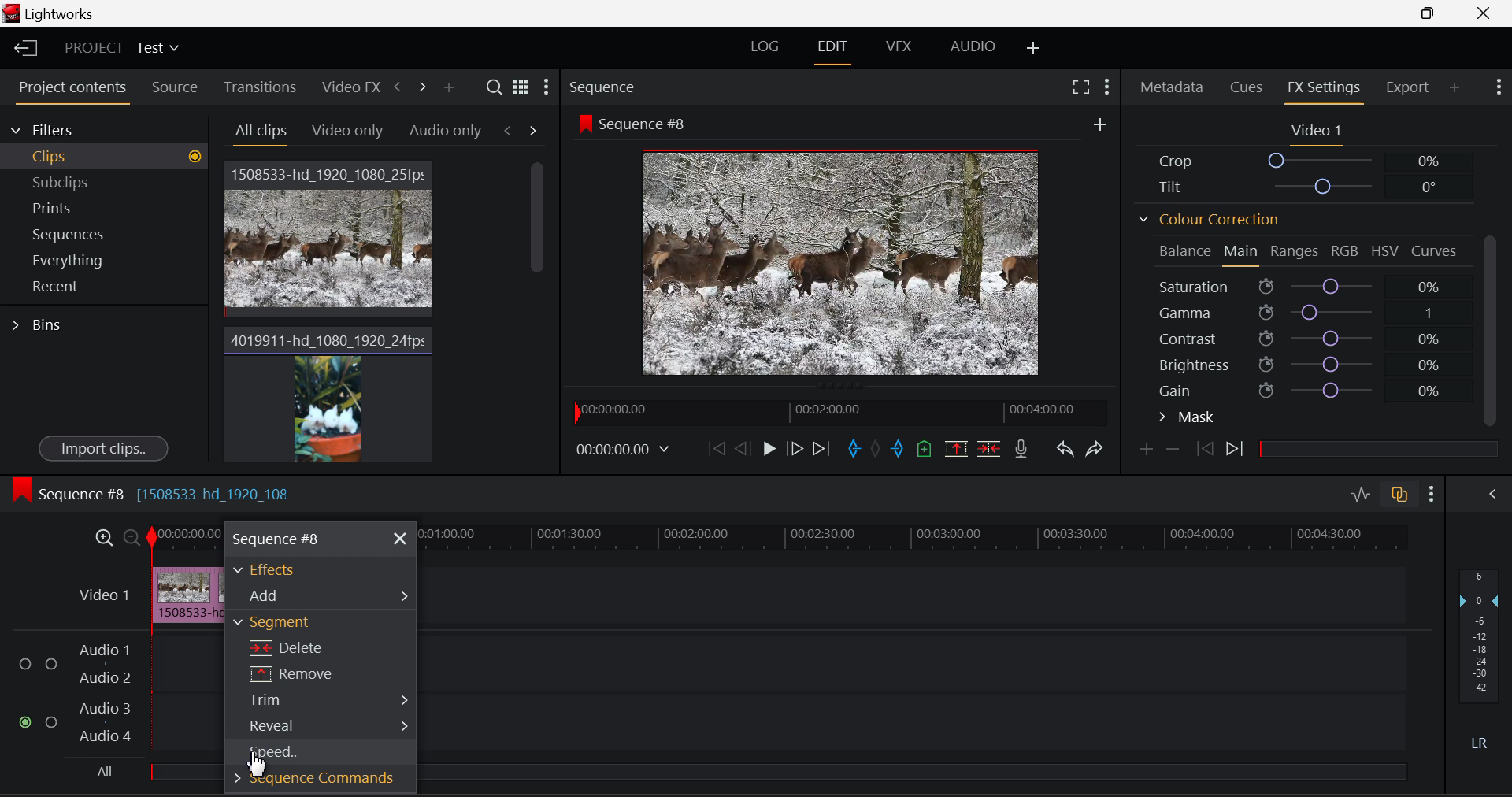 The height and width of the screenshot is (797, 1512). Describe the element at coordinates (74, 89) in the screenshot. I see `Project Contents Tab` at that location.